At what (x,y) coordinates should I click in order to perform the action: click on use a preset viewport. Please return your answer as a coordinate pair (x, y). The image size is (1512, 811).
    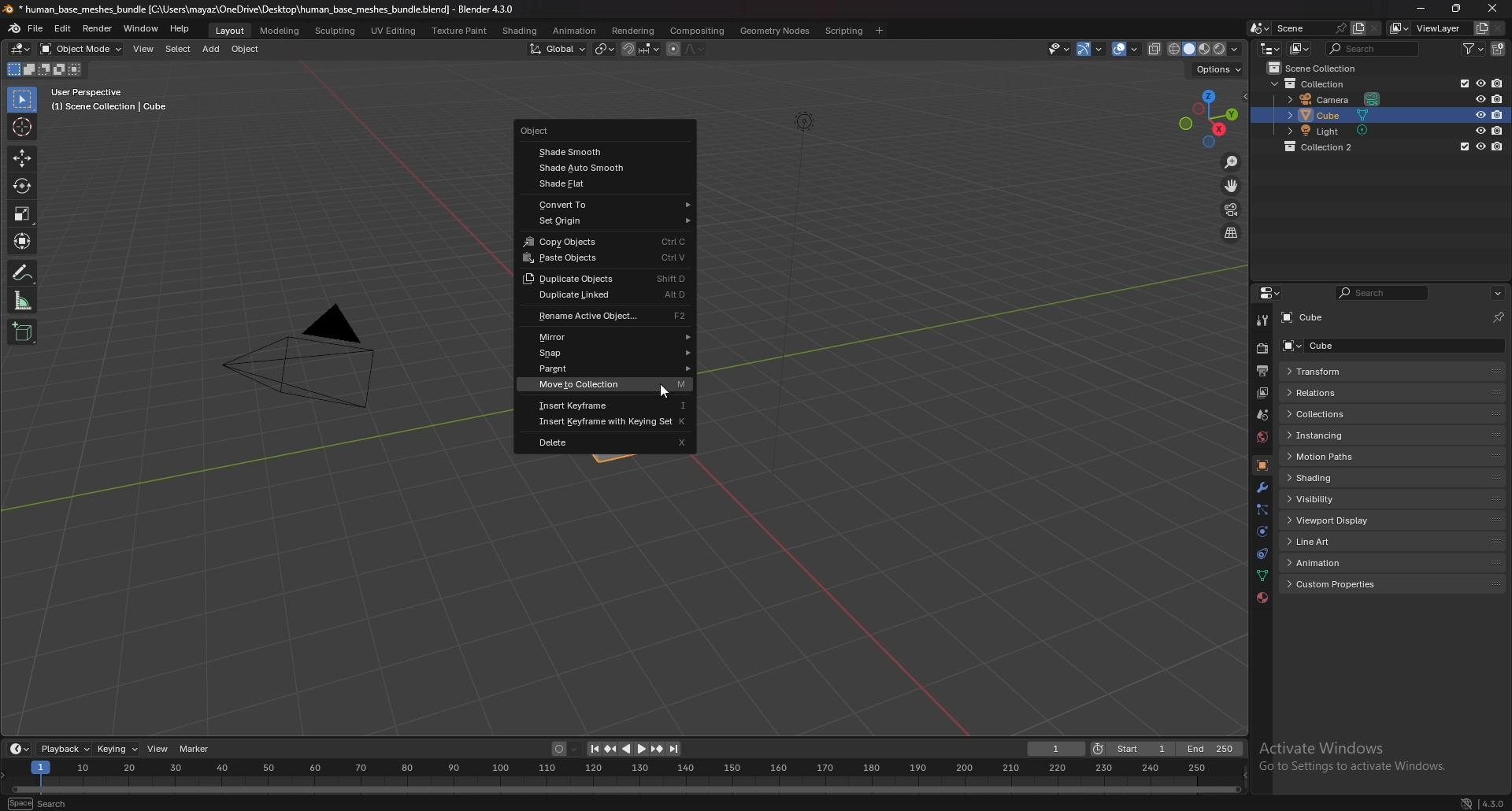
    Looking at the image, I should click on (1209, 117).